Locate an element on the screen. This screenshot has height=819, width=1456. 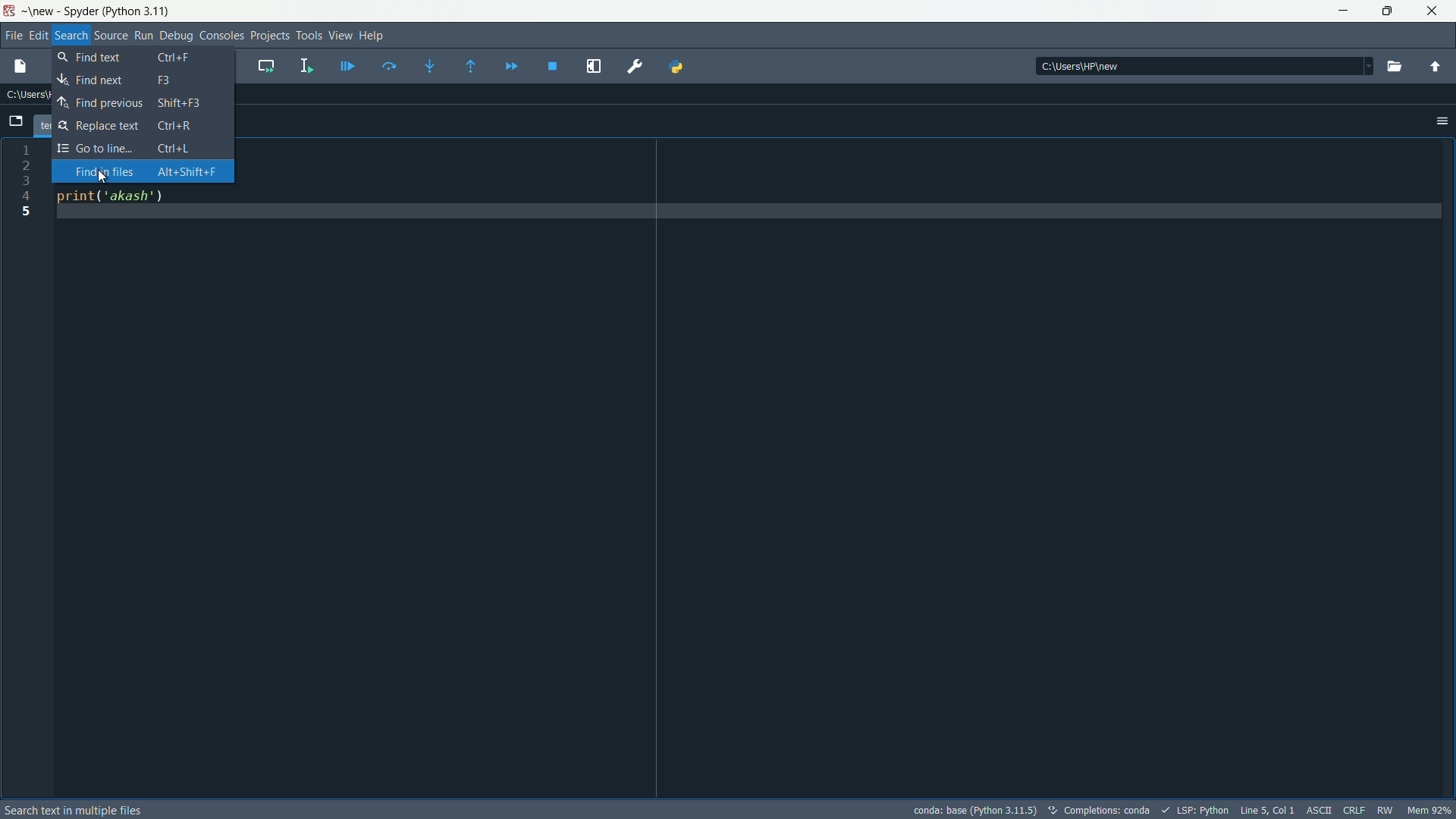
browse tabs is located at coordinates (15, 123).